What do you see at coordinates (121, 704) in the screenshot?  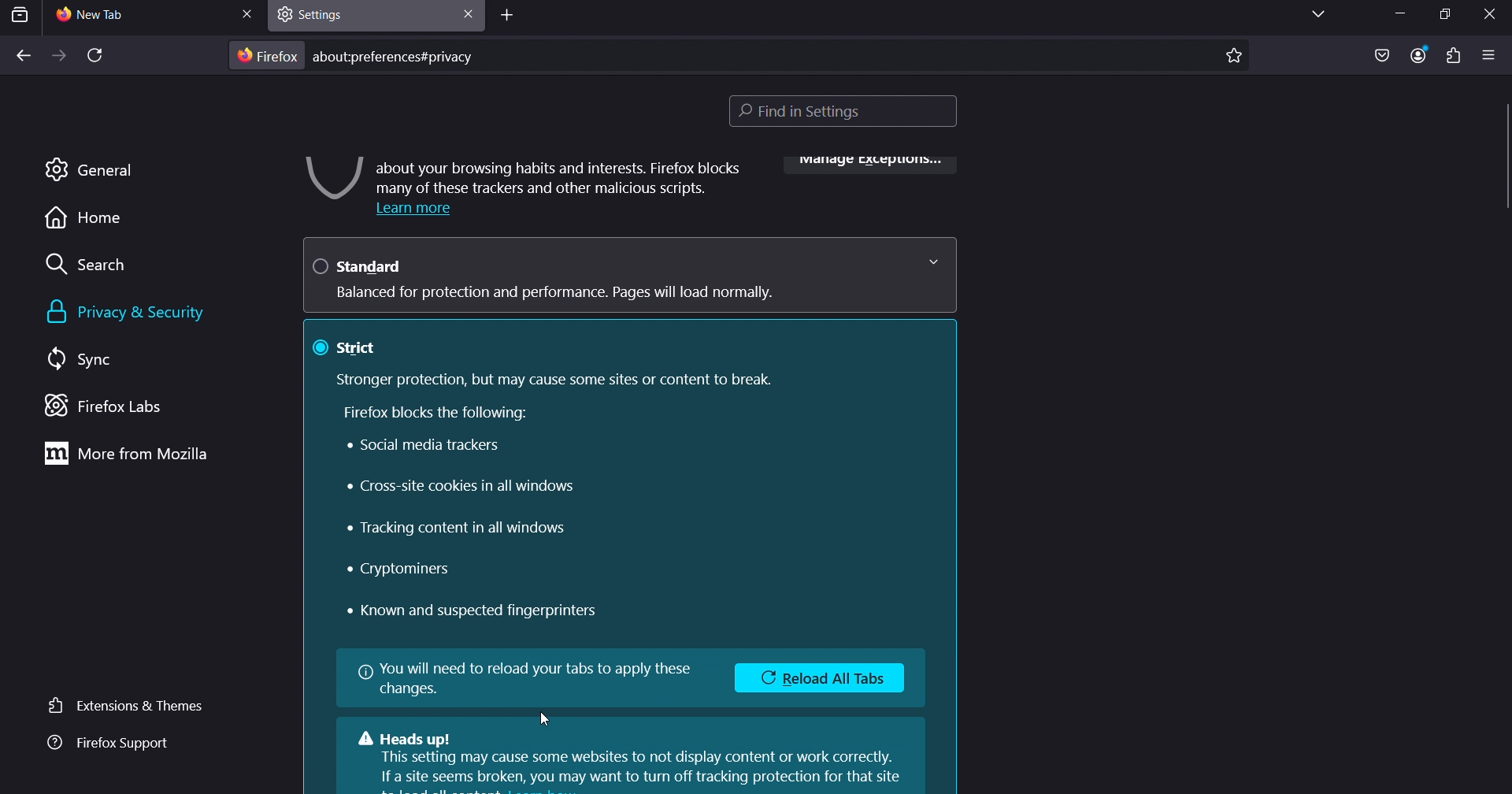 I see `extensions & themes` at bounding box center [121, 704].